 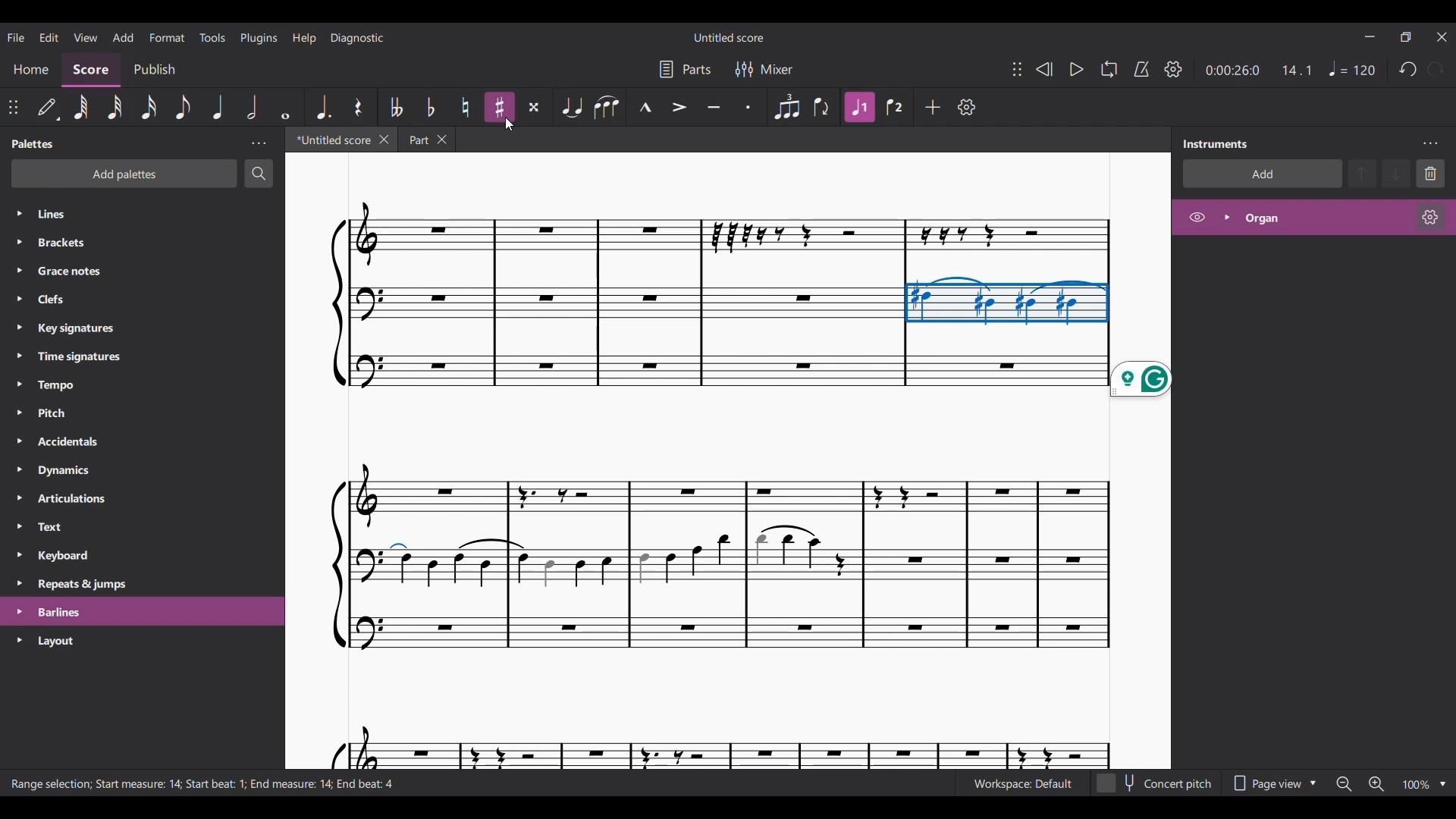 I want to click on Publish section, so click(x=155, y=71).